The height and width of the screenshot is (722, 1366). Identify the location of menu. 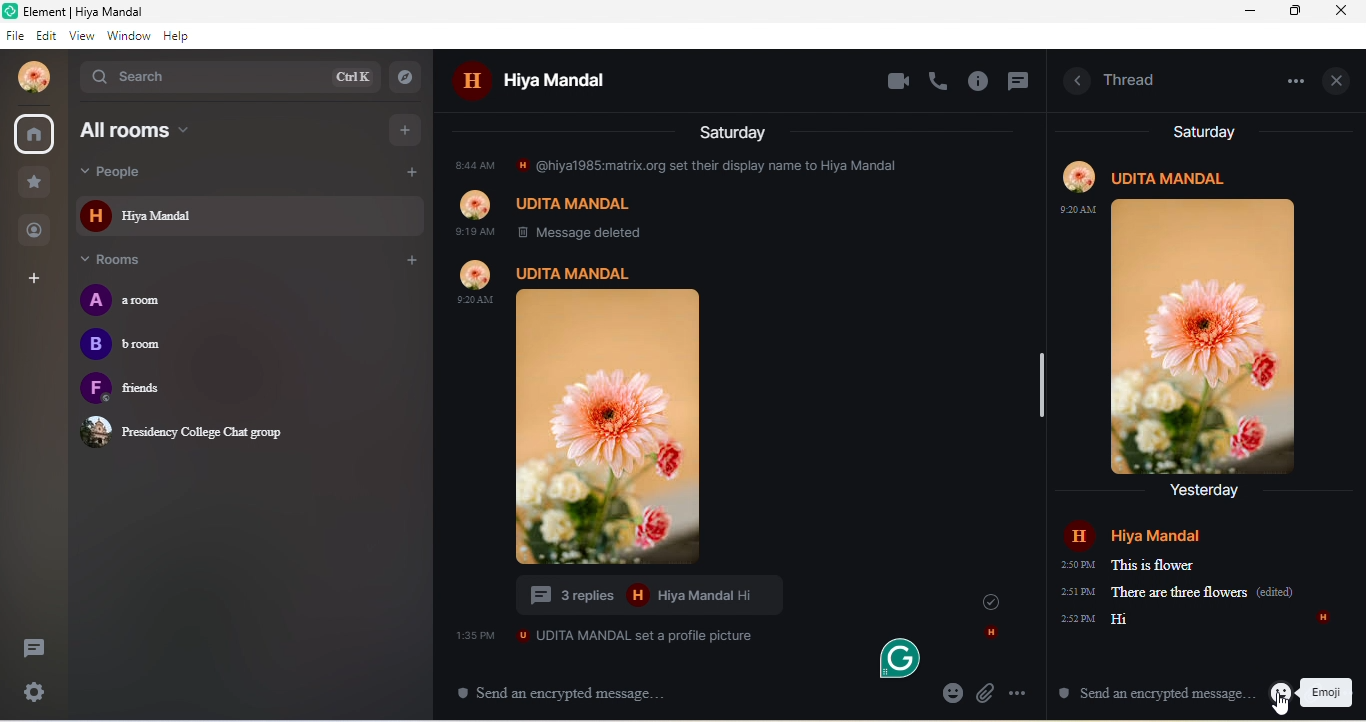
(1292, 80).